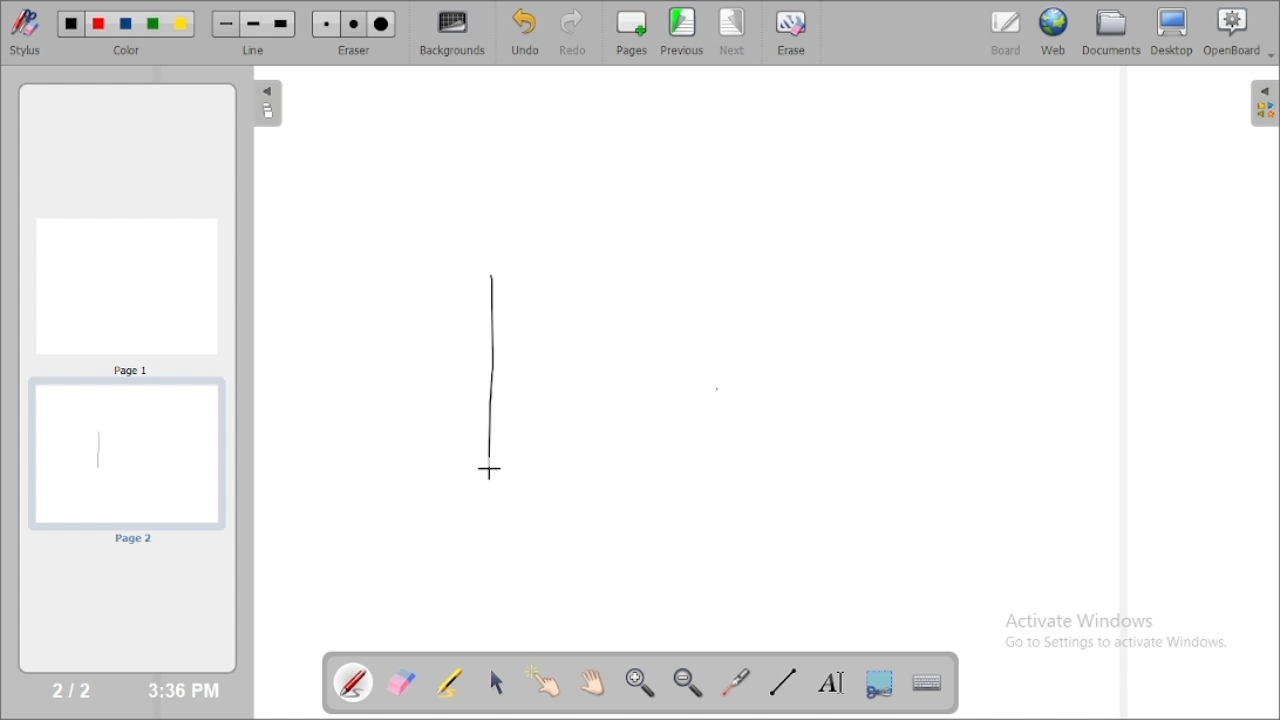 This screenshot has width=1280, height=720. What do you see at coordinates (591, 681) in the screenshot?
I see `scroll page` at bounding box center [591, 681].